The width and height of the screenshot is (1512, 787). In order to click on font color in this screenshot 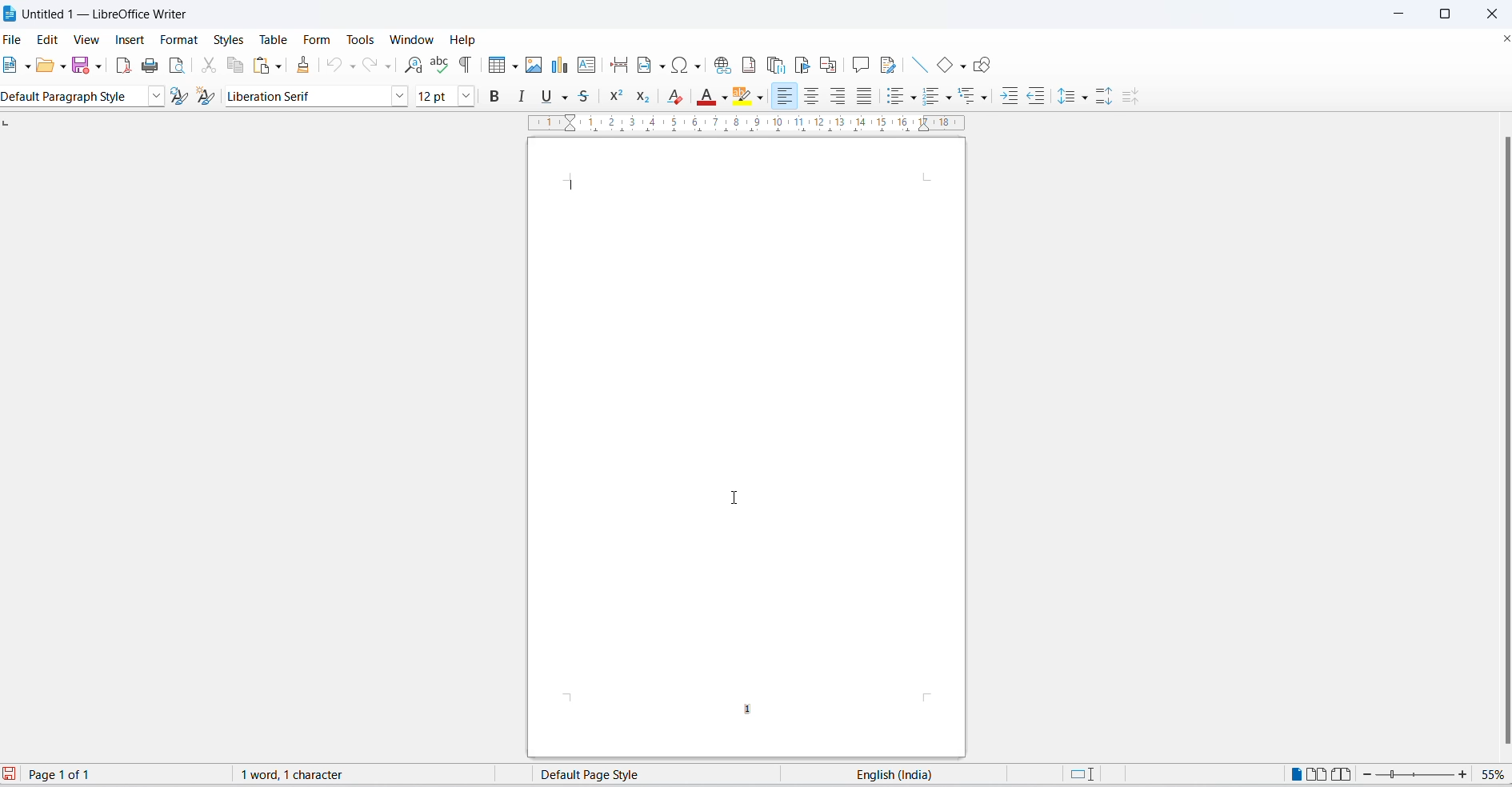, I will do `click(707, 98)`.